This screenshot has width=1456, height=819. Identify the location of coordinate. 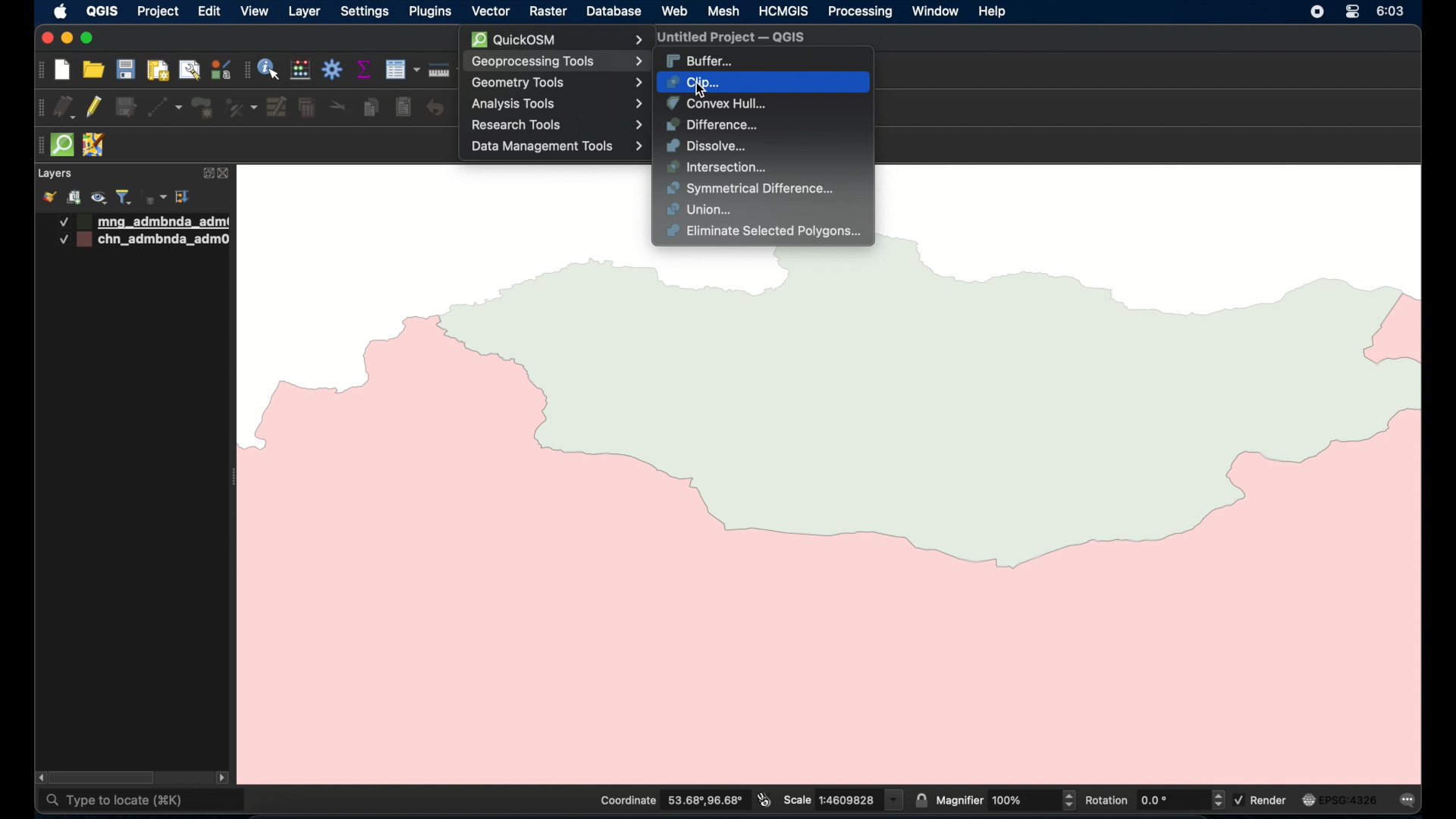
(670, 800).